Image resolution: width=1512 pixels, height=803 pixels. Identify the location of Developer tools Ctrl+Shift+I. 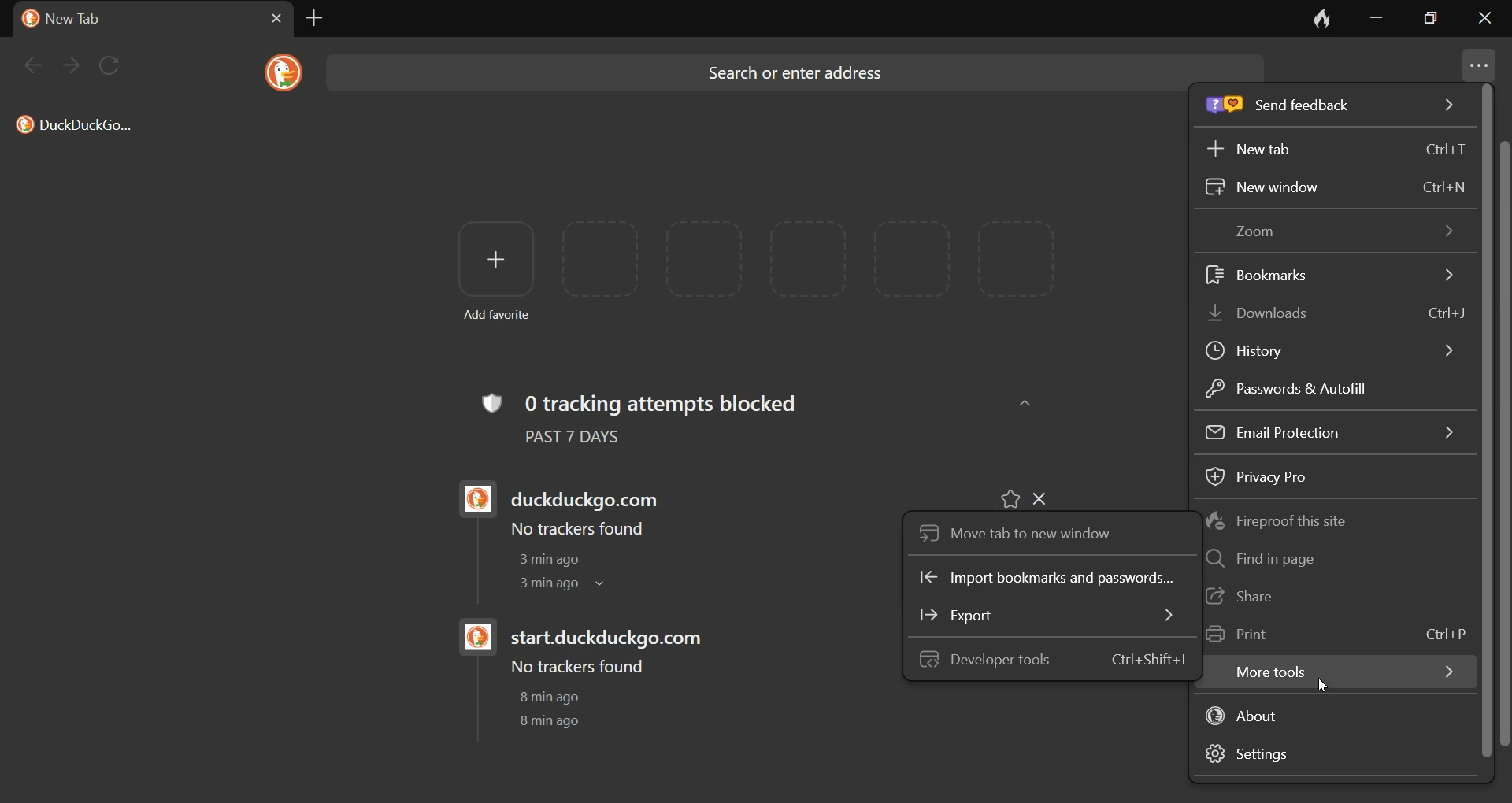
(1051, 658).